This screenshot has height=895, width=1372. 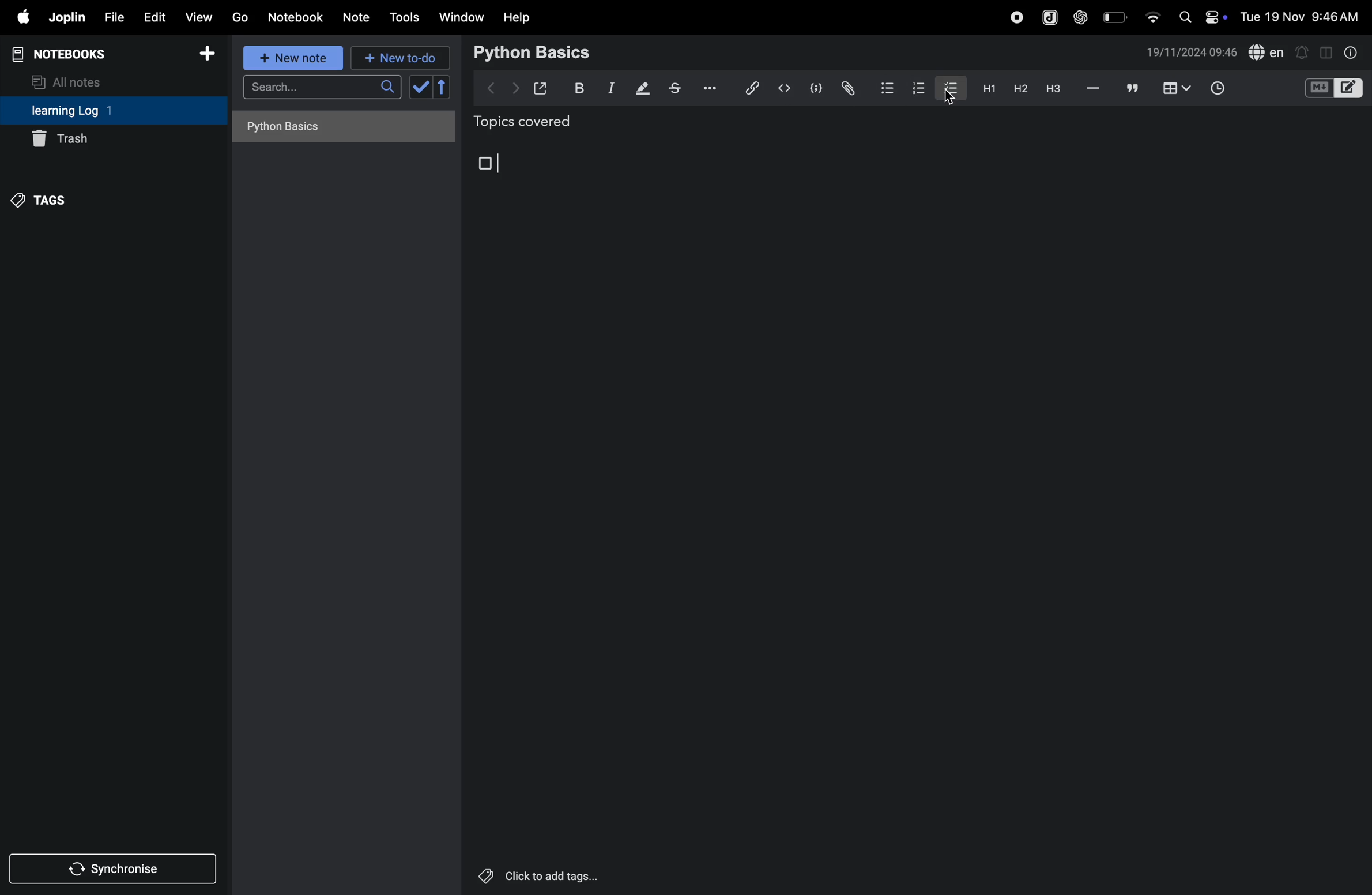 What do you see at coordinates (986, 88) in the screenshot?
I see `h1` at bounding box center [986, 88].